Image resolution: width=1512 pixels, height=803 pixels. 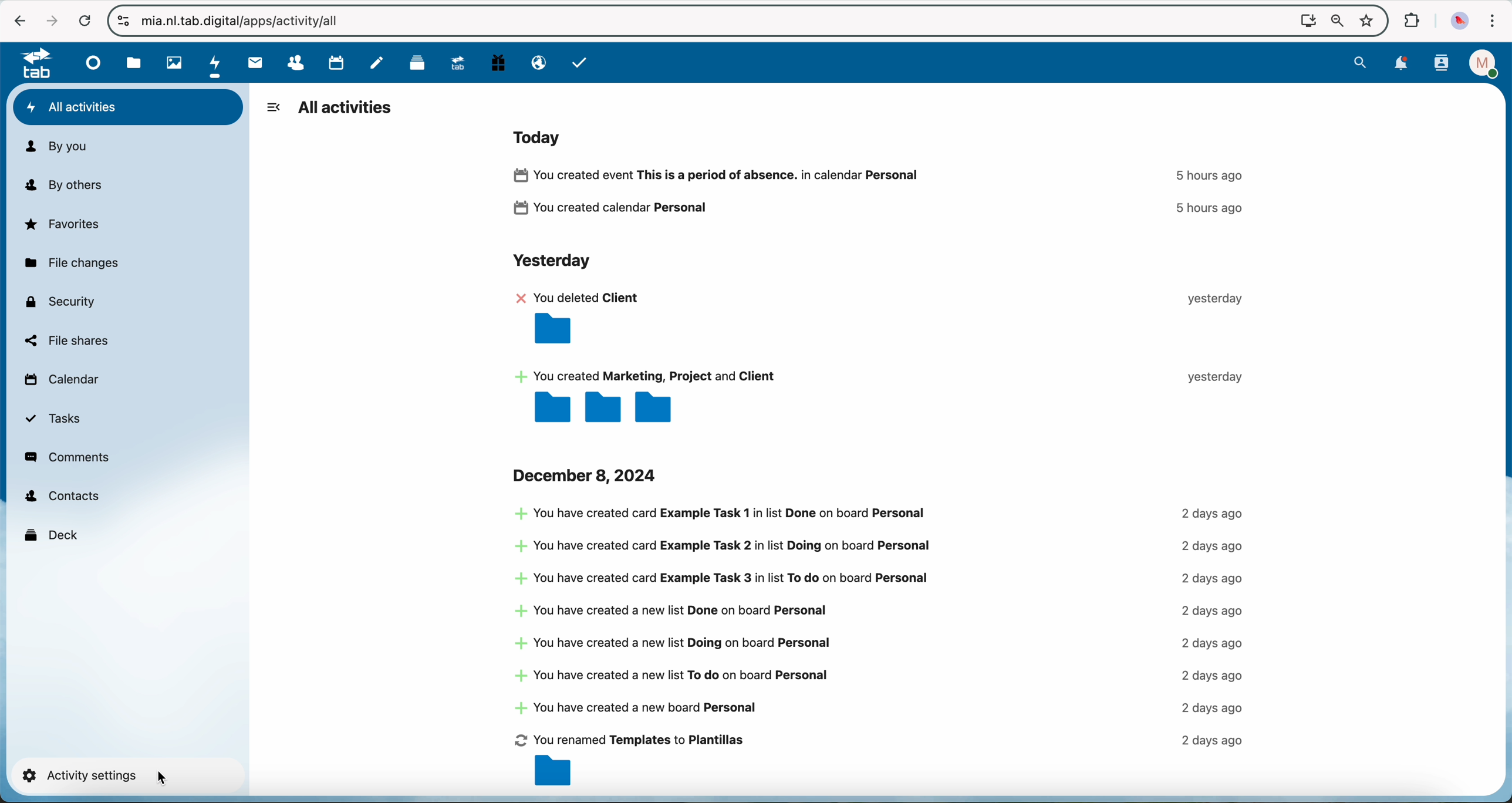 I want to click on profile picture, so click(x=1461, y=22).